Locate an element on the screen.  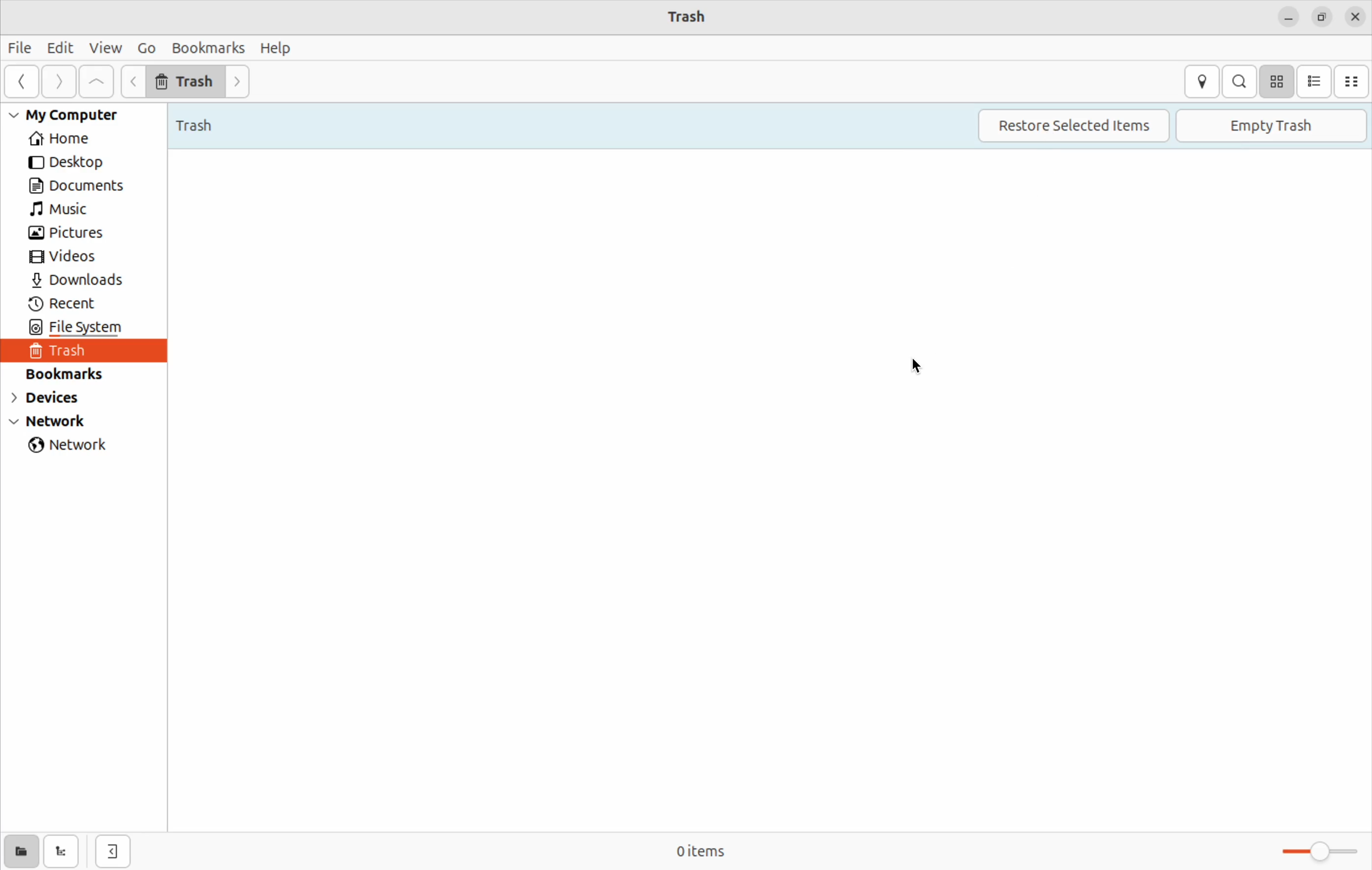
my computer is located at coordinates (75, 115).